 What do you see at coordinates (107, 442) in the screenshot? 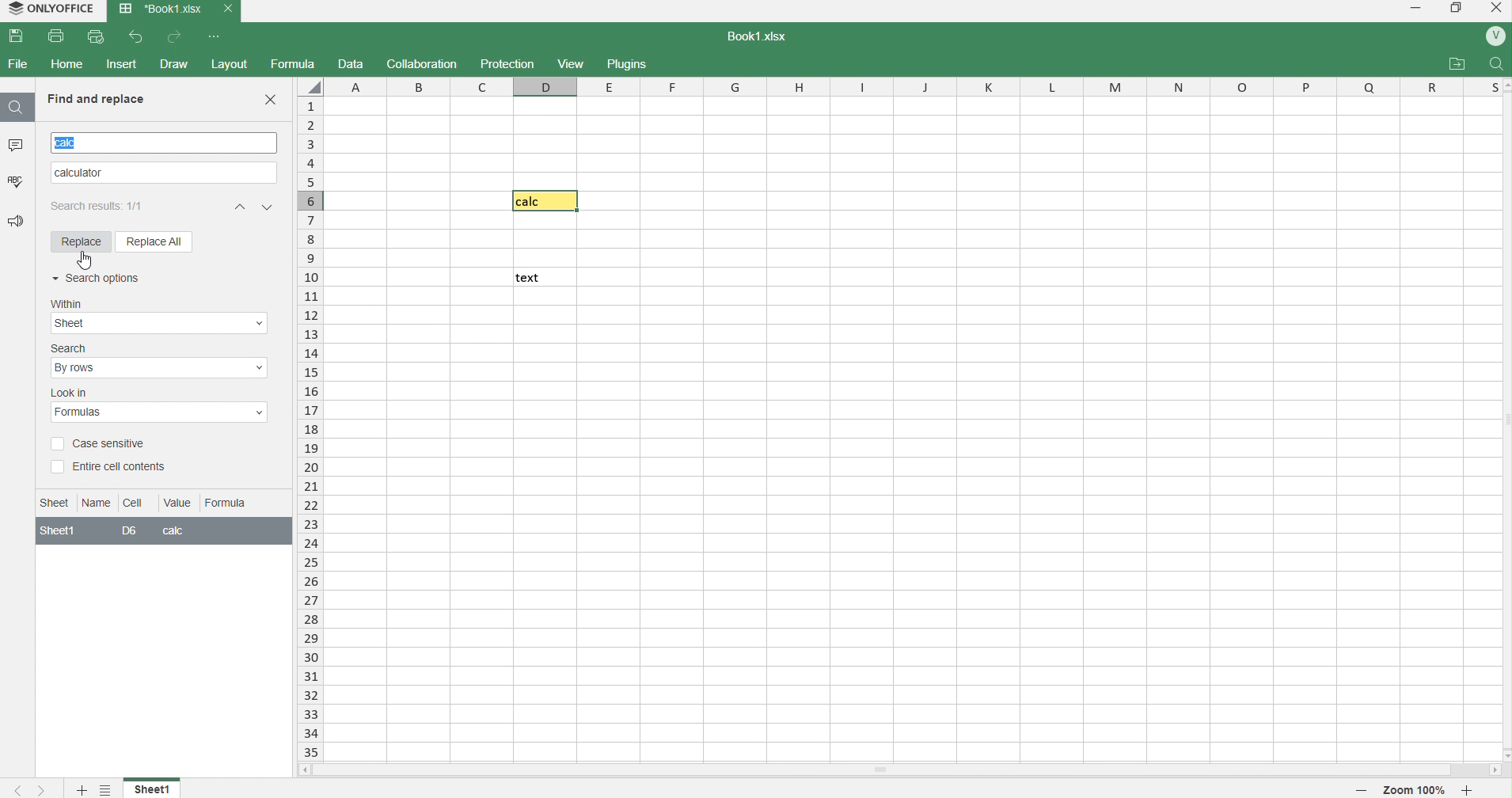
I see `Case sensitive` at bounding box center [107, 442].